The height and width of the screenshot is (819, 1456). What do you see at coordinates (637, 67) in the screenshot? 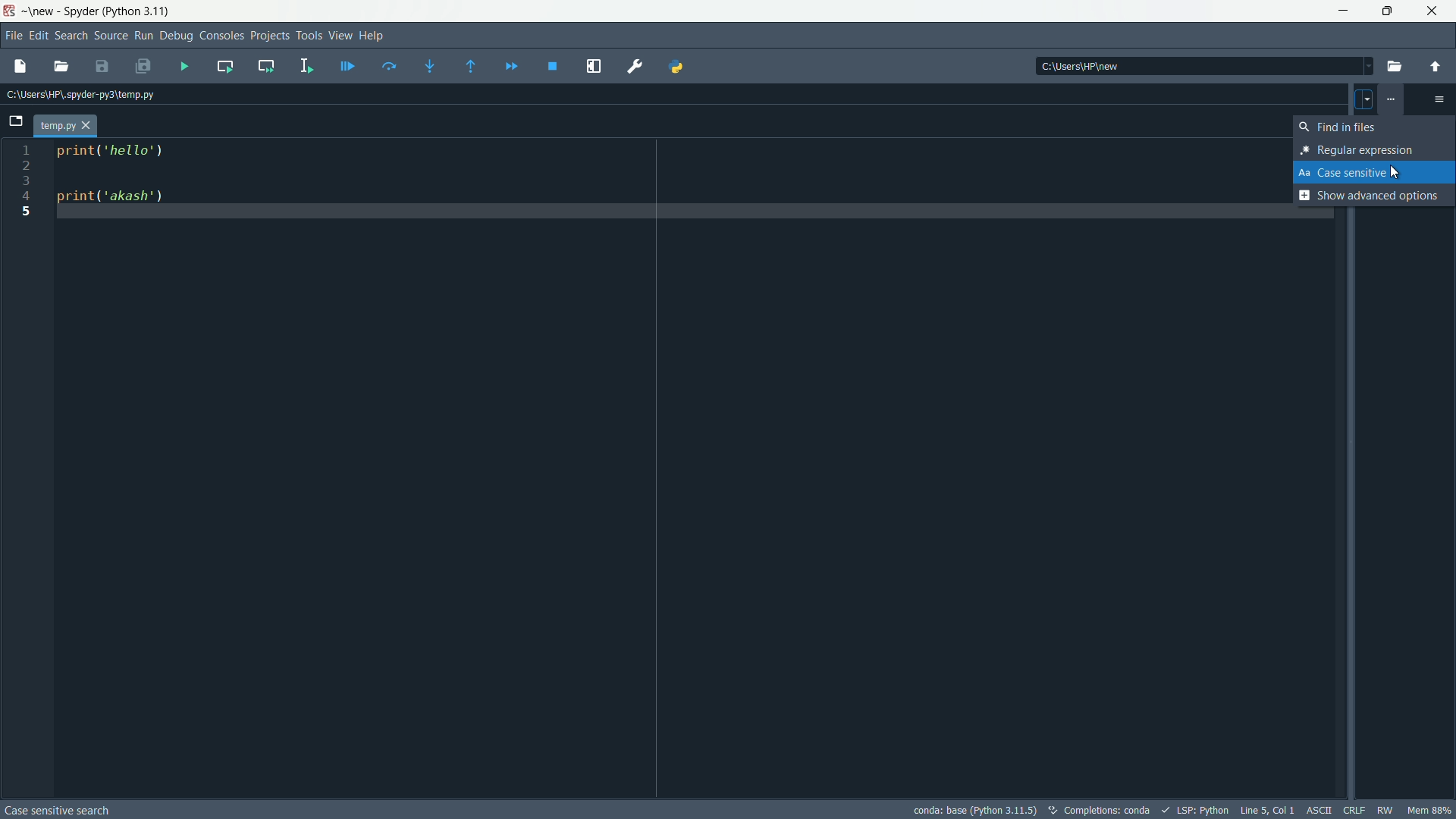
I see `prefrences` at bounding box center [637, 67].